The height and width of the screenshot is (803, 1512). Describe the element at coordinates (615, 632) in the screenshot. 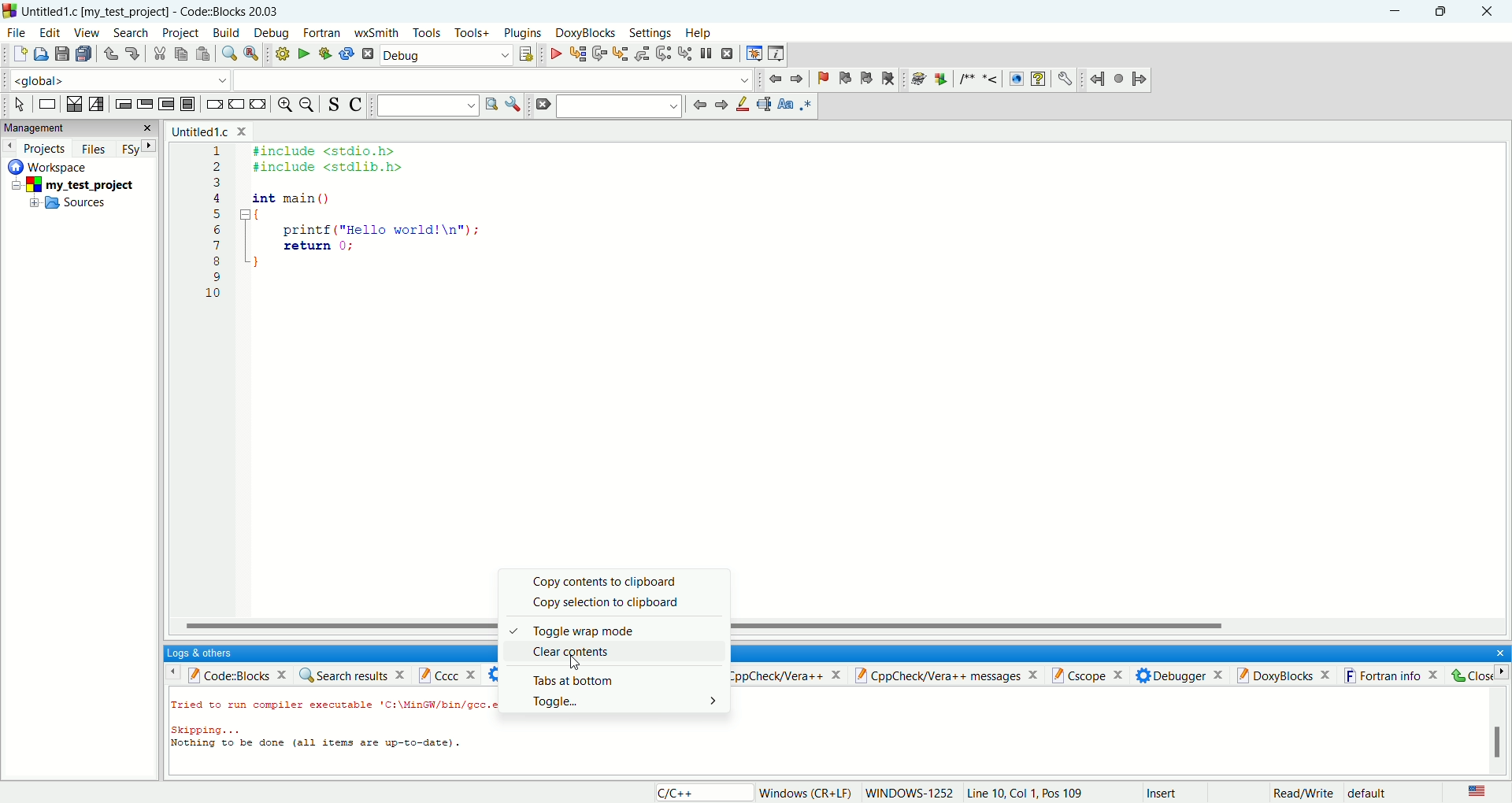

I see `toggle wrap mode` at that location.